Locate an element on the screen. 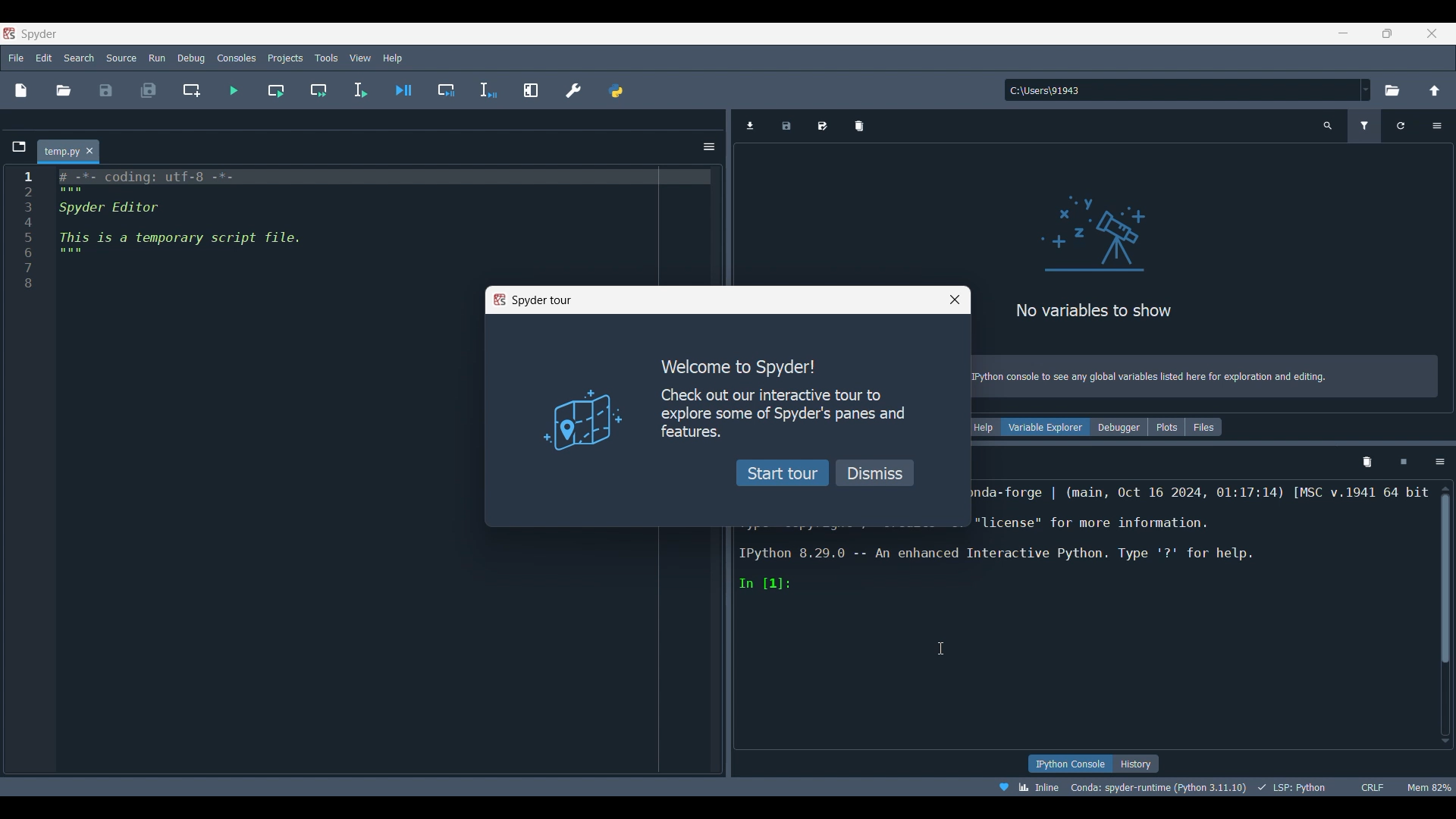 The image size is (1456, 819). Start tour is located at coordinates (784, 472).